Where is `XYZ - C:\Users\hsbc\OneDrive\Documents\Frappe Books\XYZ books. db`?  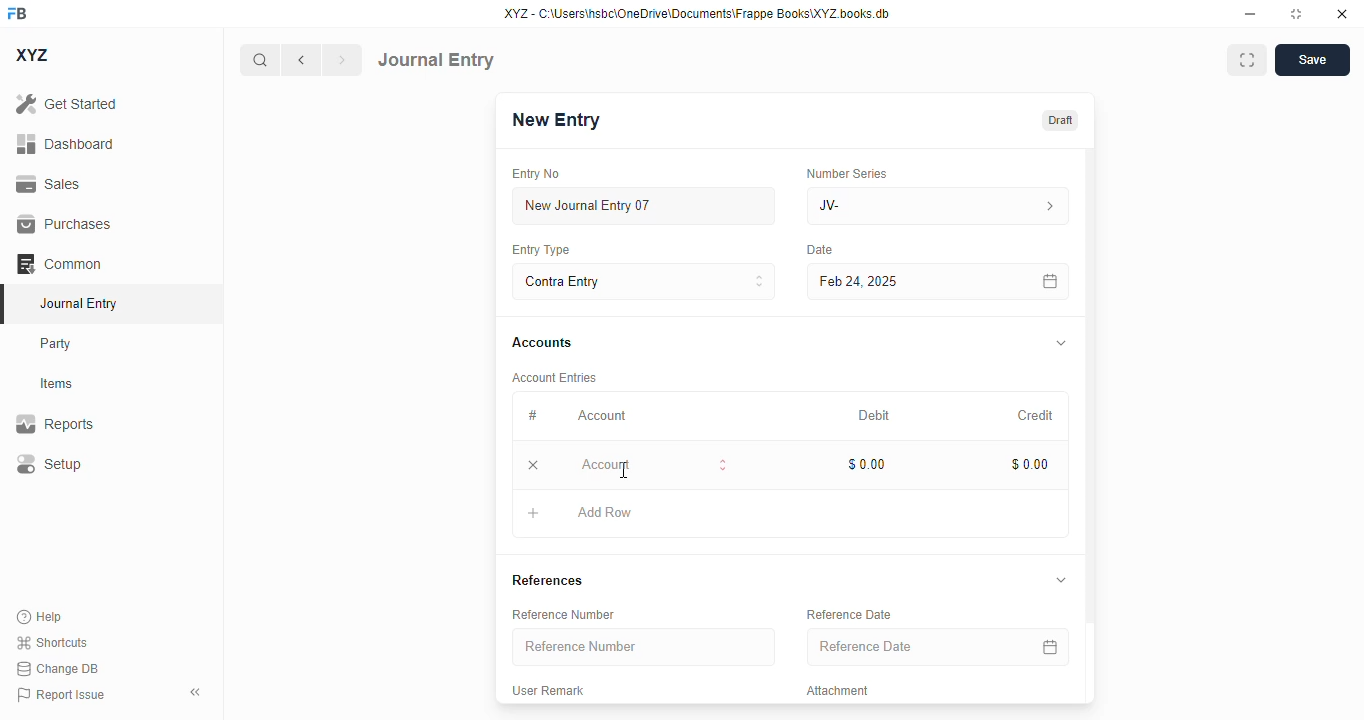 XYZ - C:\Users\hsbc\OneDrive\Documents\Frappe Books\XYZ books. db is located at coordinates (697, 14).